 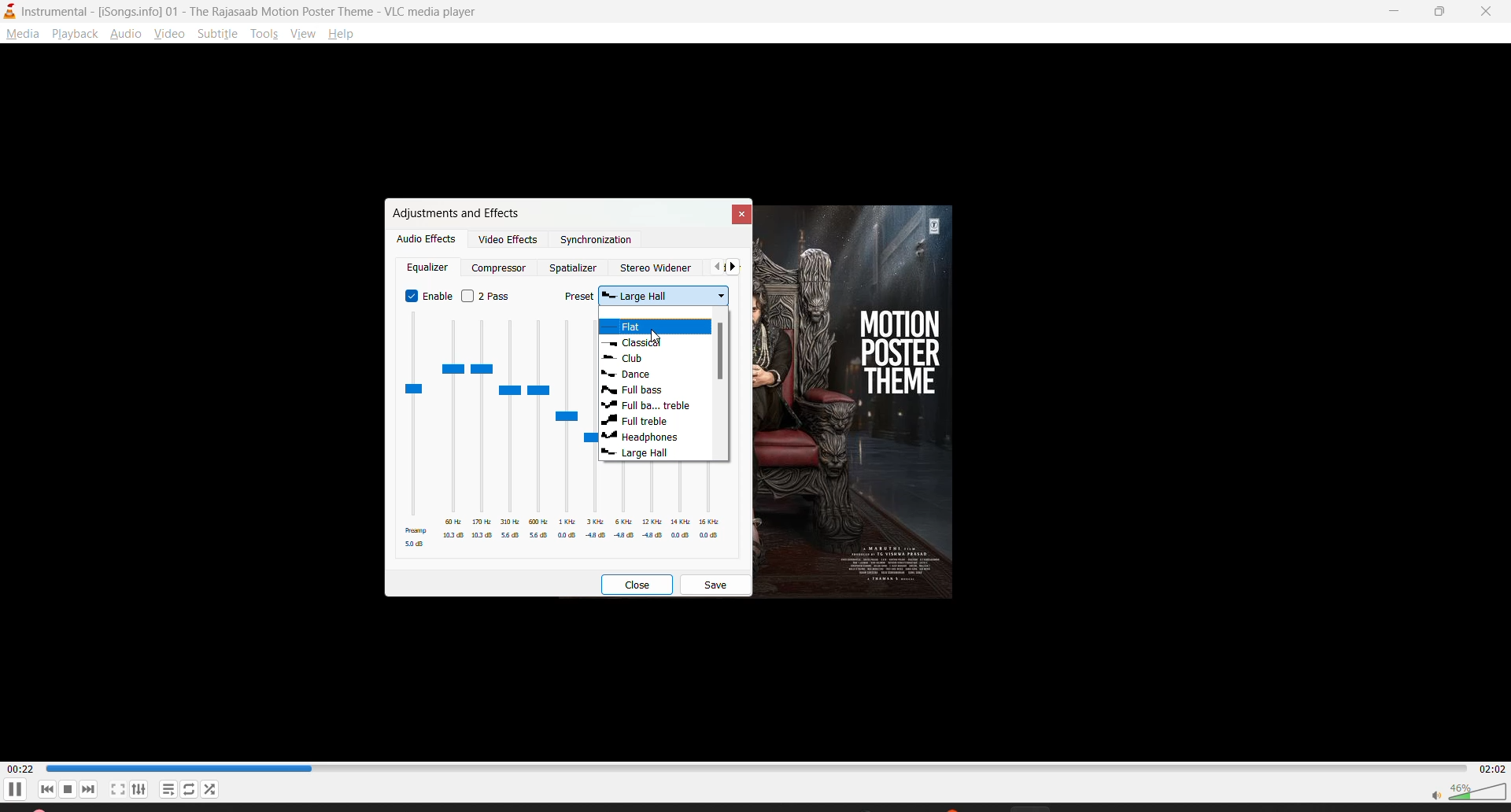 I want to click on preset, so click(x=652, y=298).